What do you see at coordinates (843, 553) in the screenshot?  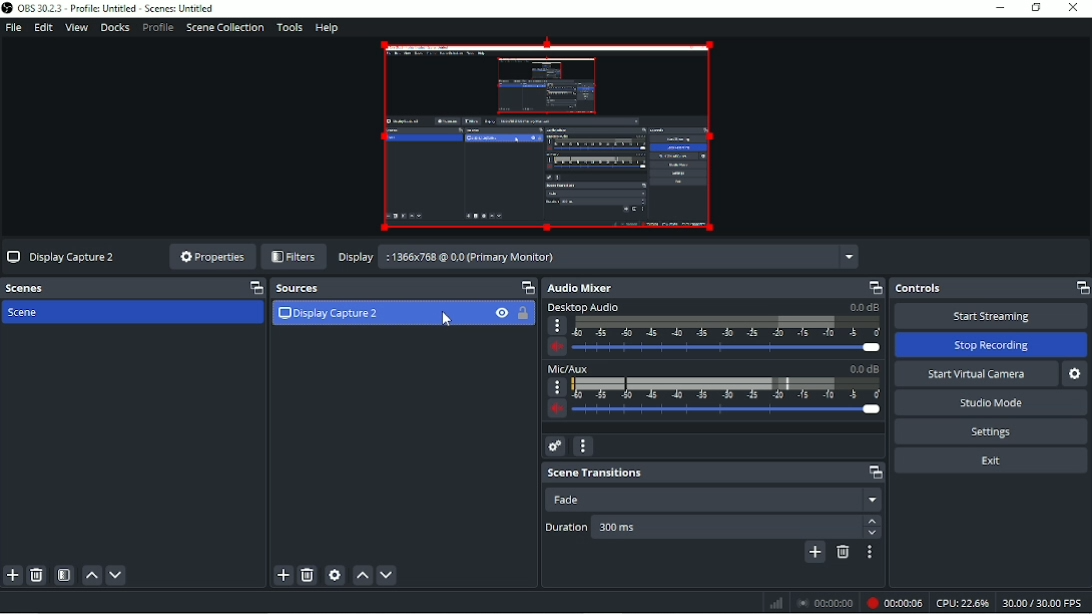 I see `Remove configurable transition` at bounding box center [843, 553].